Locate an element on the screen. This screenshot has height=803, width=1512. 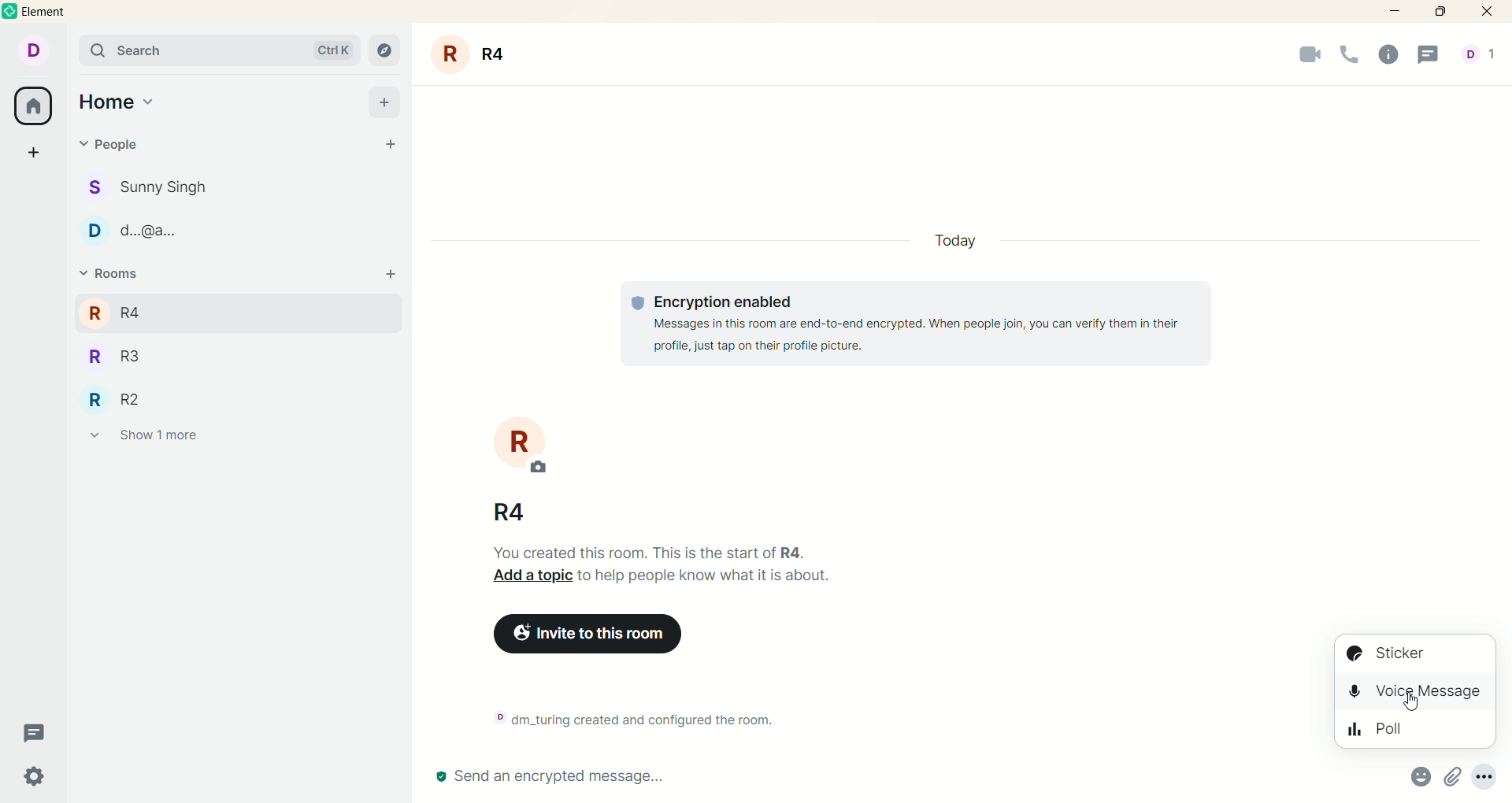
home is located at coordinates (117, 103).